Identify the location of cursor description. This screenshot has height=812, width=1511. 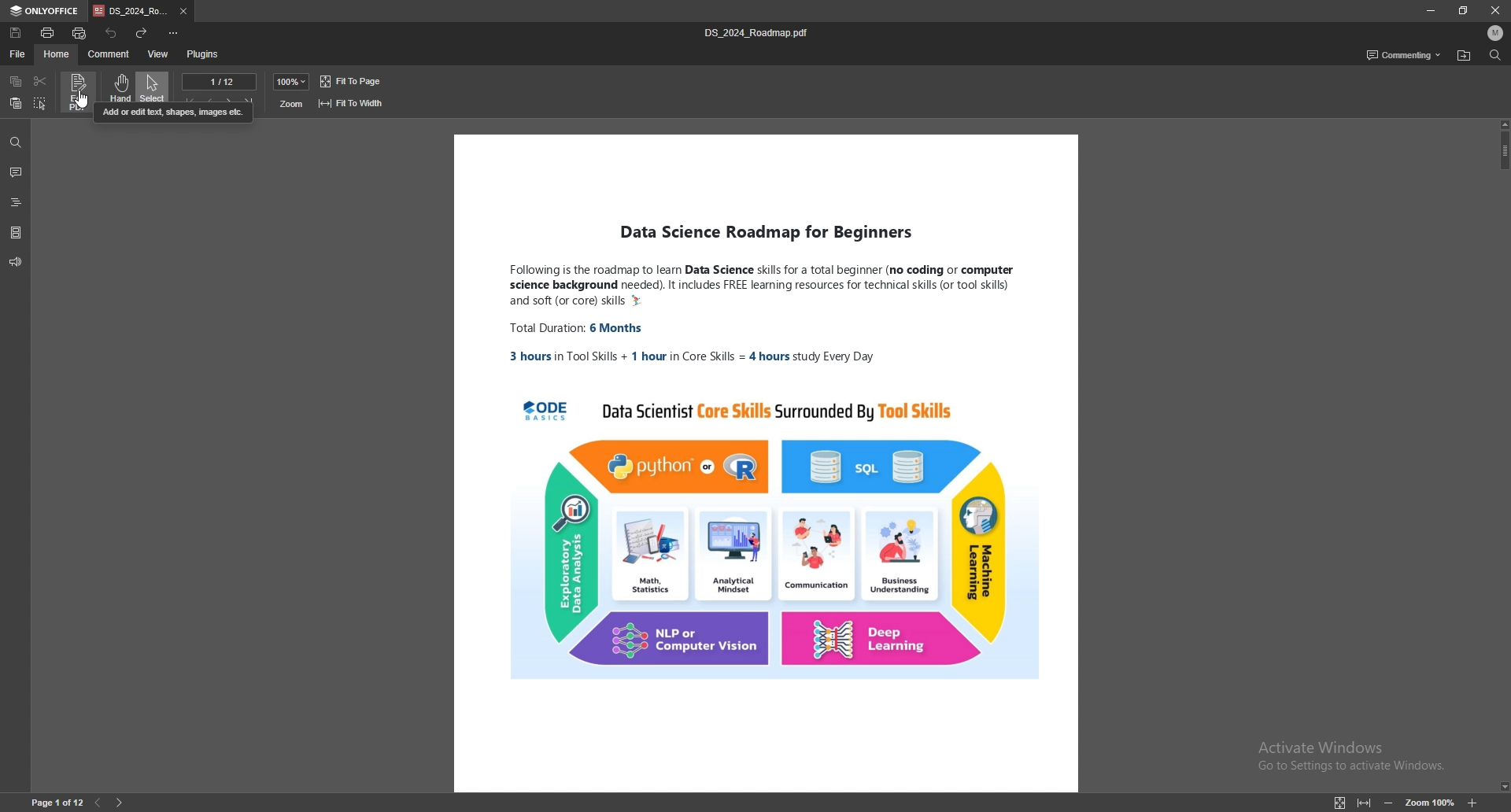
(176, 114).